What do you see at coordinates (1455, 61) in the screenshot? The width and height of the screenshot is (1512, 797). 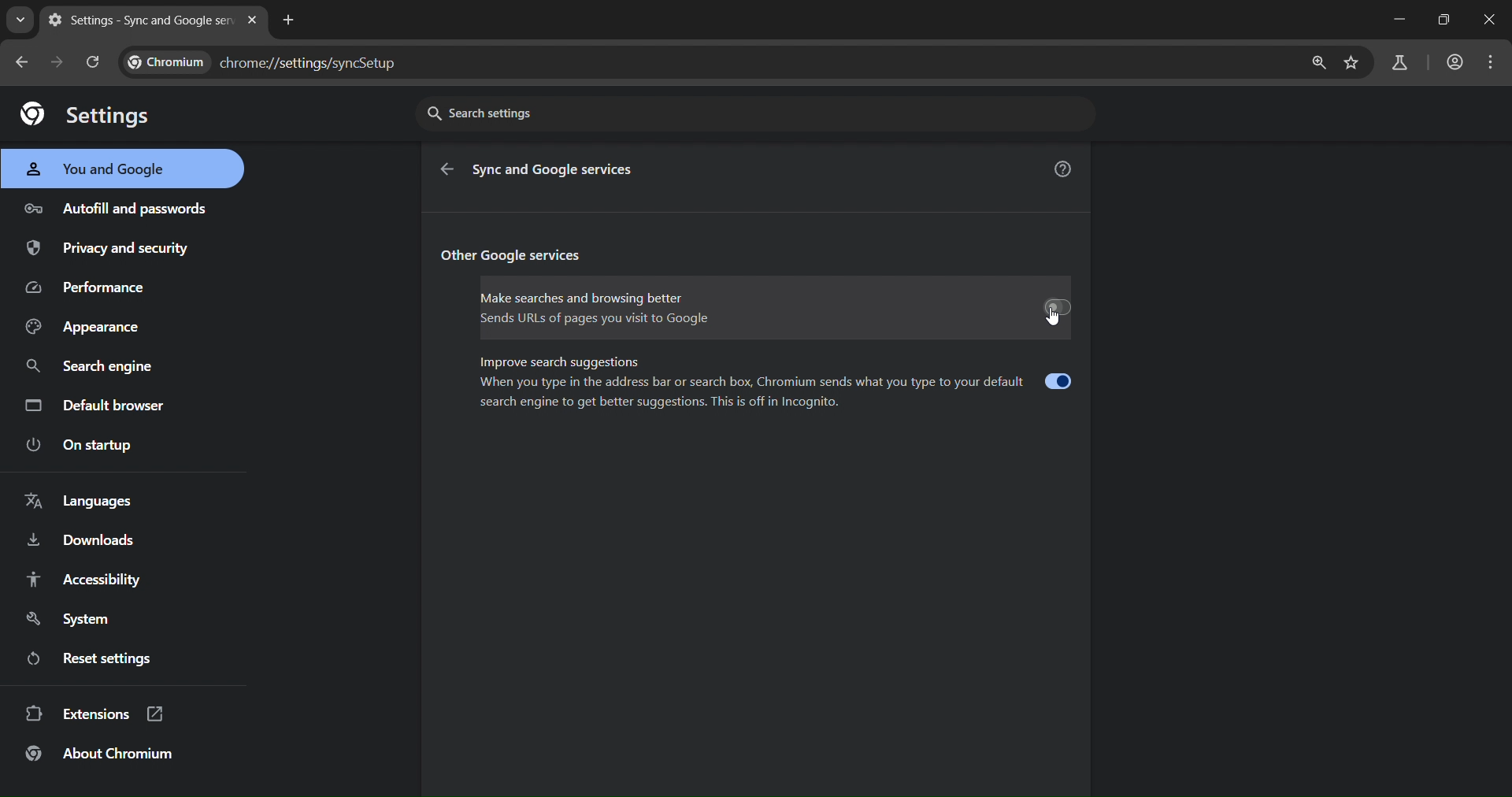 I see `account` at bounding box center [1455, 61].